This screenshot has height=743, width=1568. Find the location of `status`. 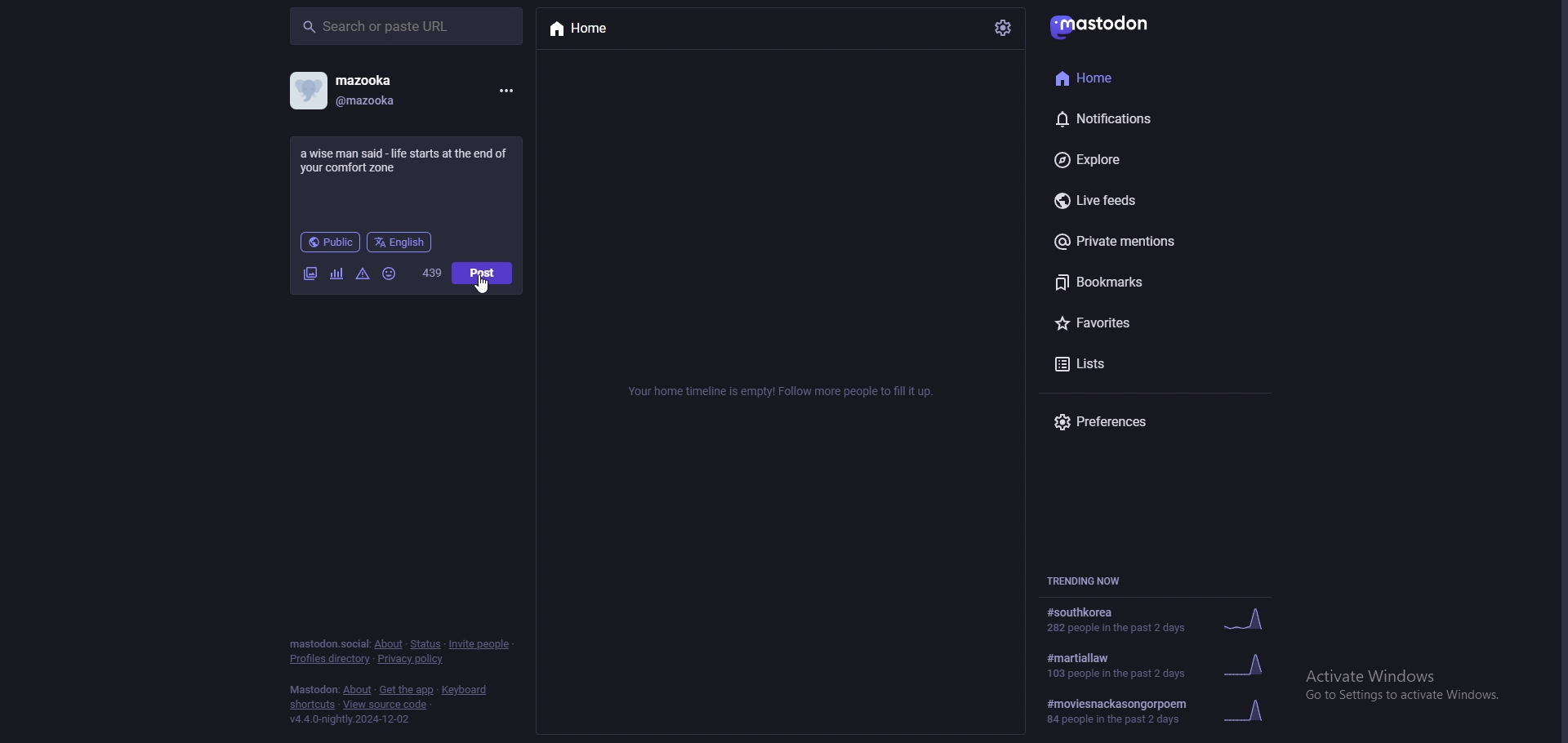

status is located at coordinates (403, 180).